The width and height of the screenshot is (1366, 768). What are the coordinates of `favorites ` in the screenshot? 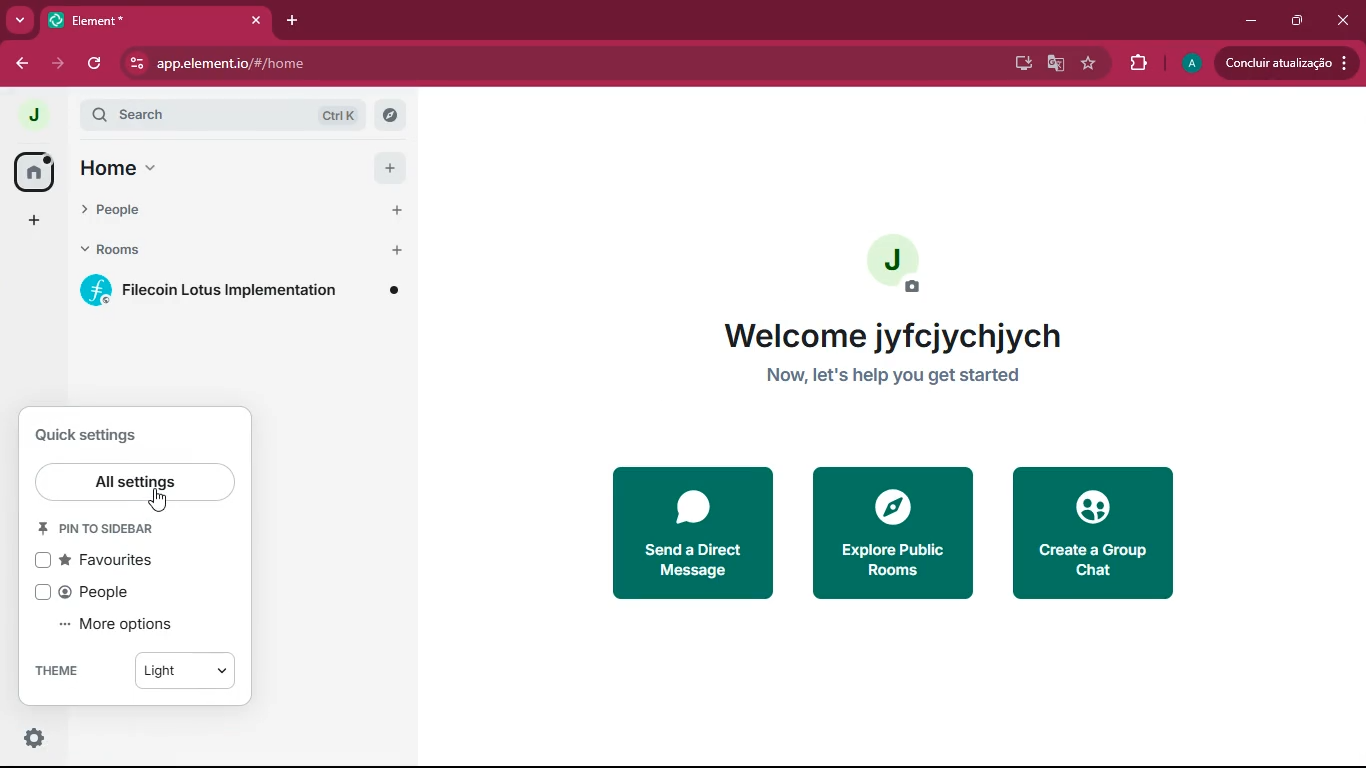 It's located at (98, 560).